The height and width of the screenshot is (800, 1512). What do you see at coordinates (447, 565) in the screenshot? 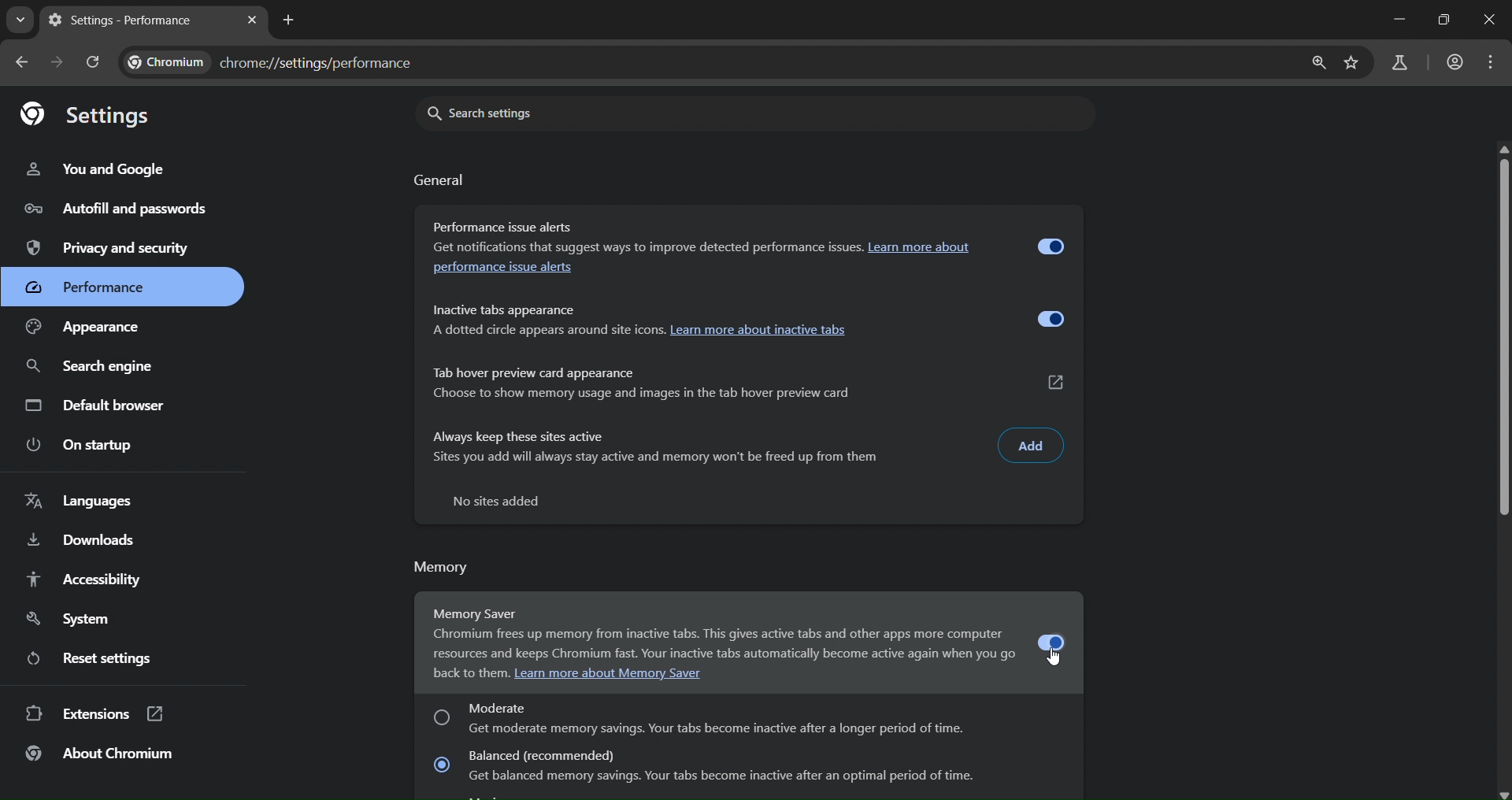
I see `memory` at bounding box center [447, 565].